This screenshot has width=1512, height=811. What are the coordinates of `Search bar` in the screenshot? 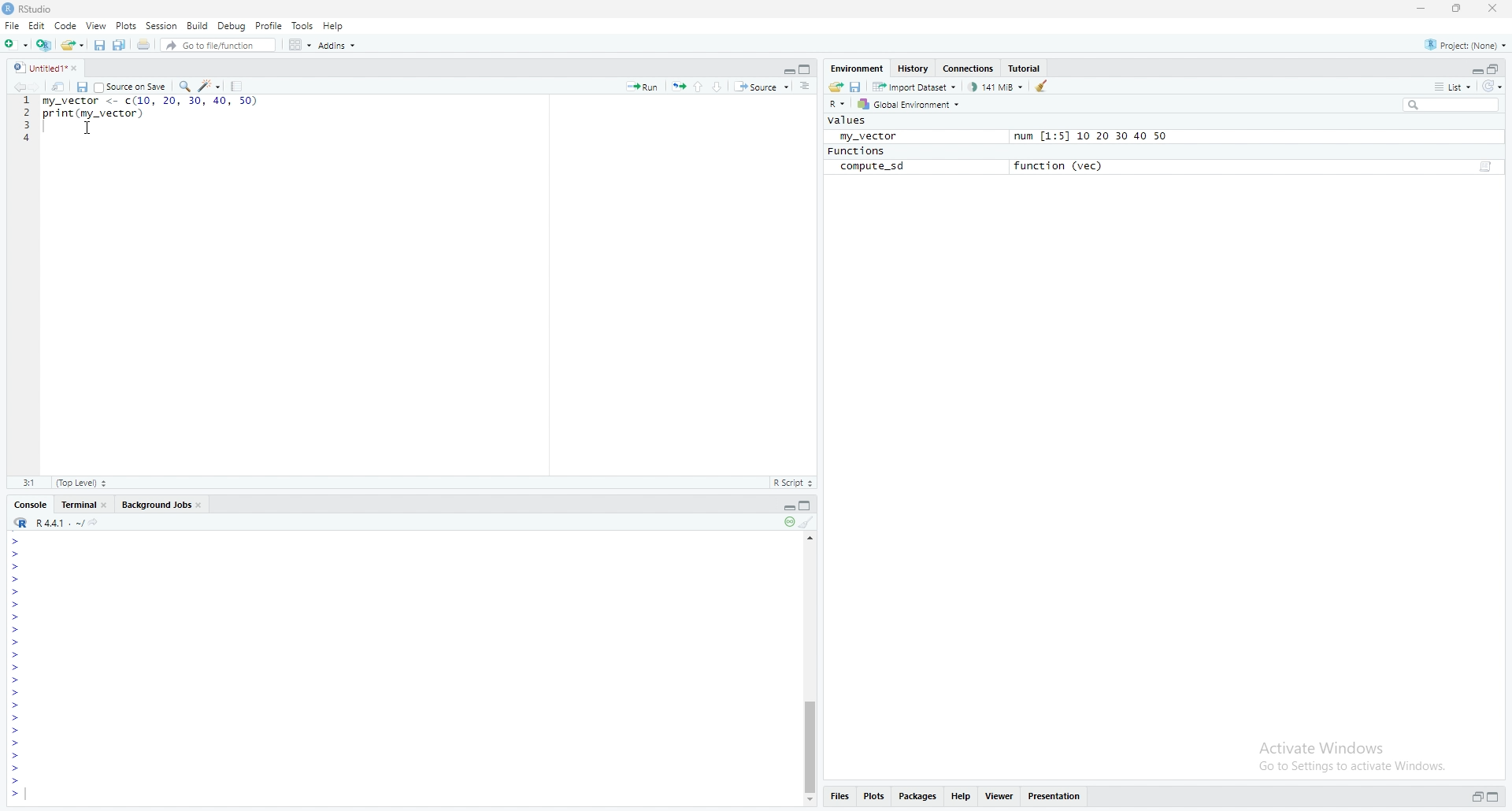 It's located at (1456, 104).